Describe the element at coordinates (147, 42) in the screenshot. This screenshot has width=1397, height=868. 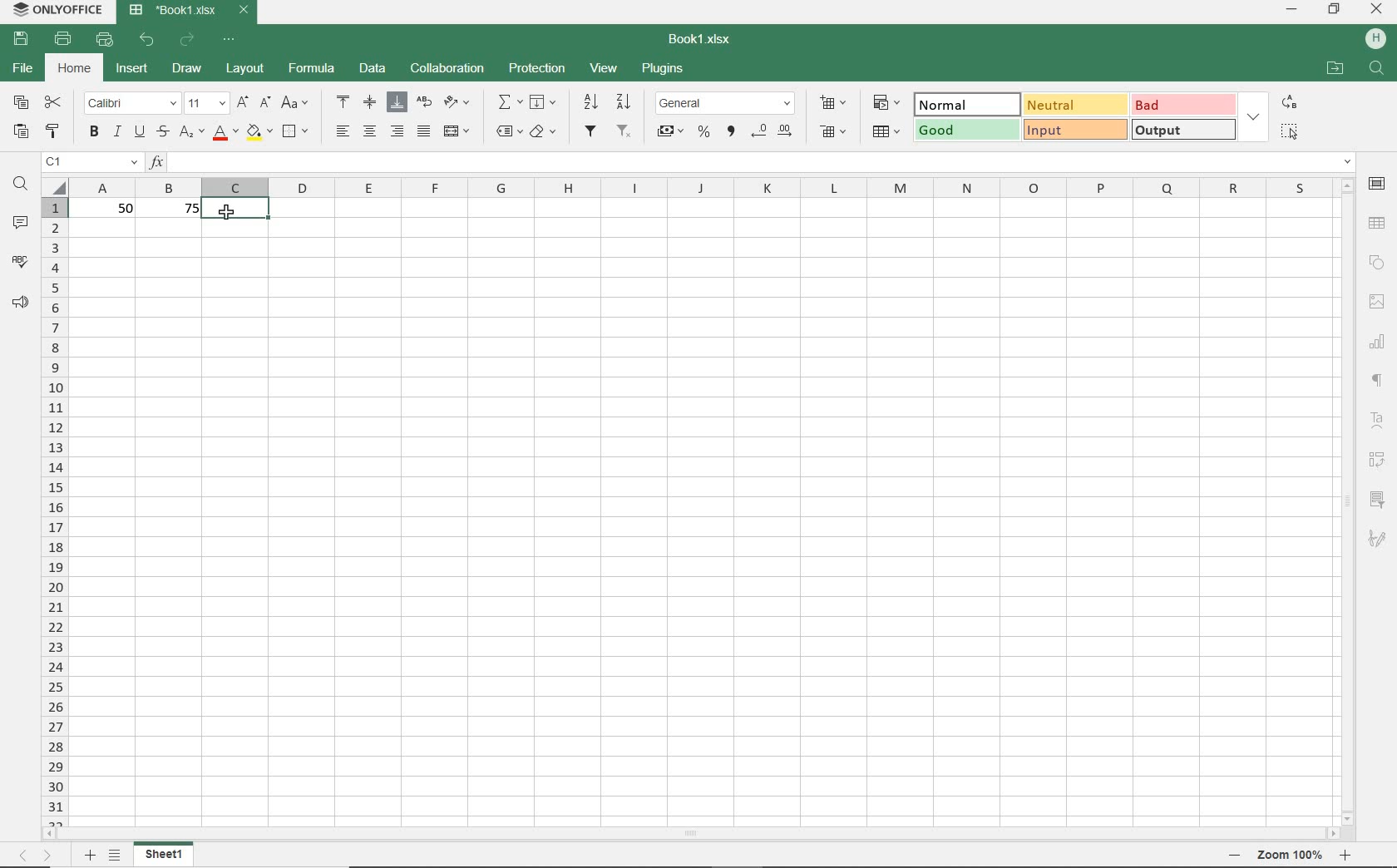
I see `undo` at that location.